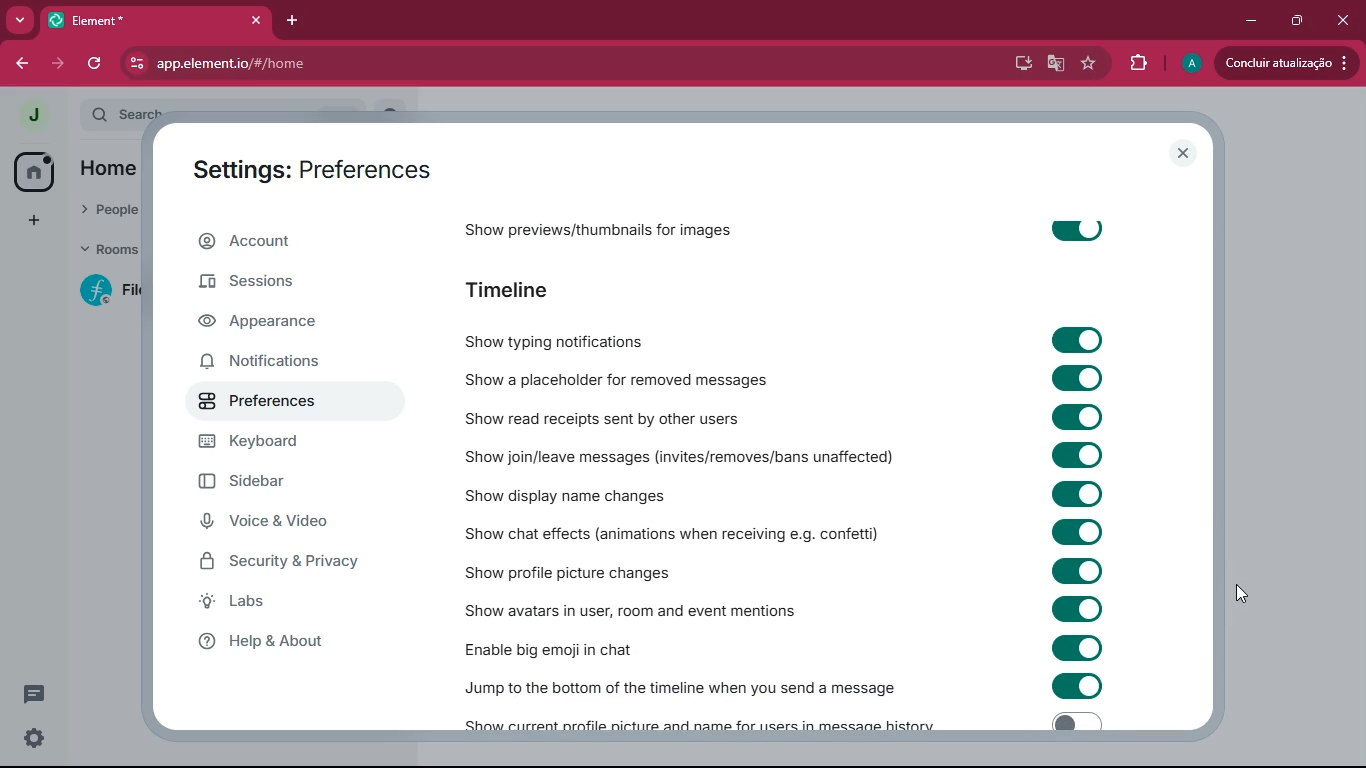 The height and width of the screenshot is (768, 1366). Describe the element at coordinates (27, 174) in the screenshot. I see `home` at that location.